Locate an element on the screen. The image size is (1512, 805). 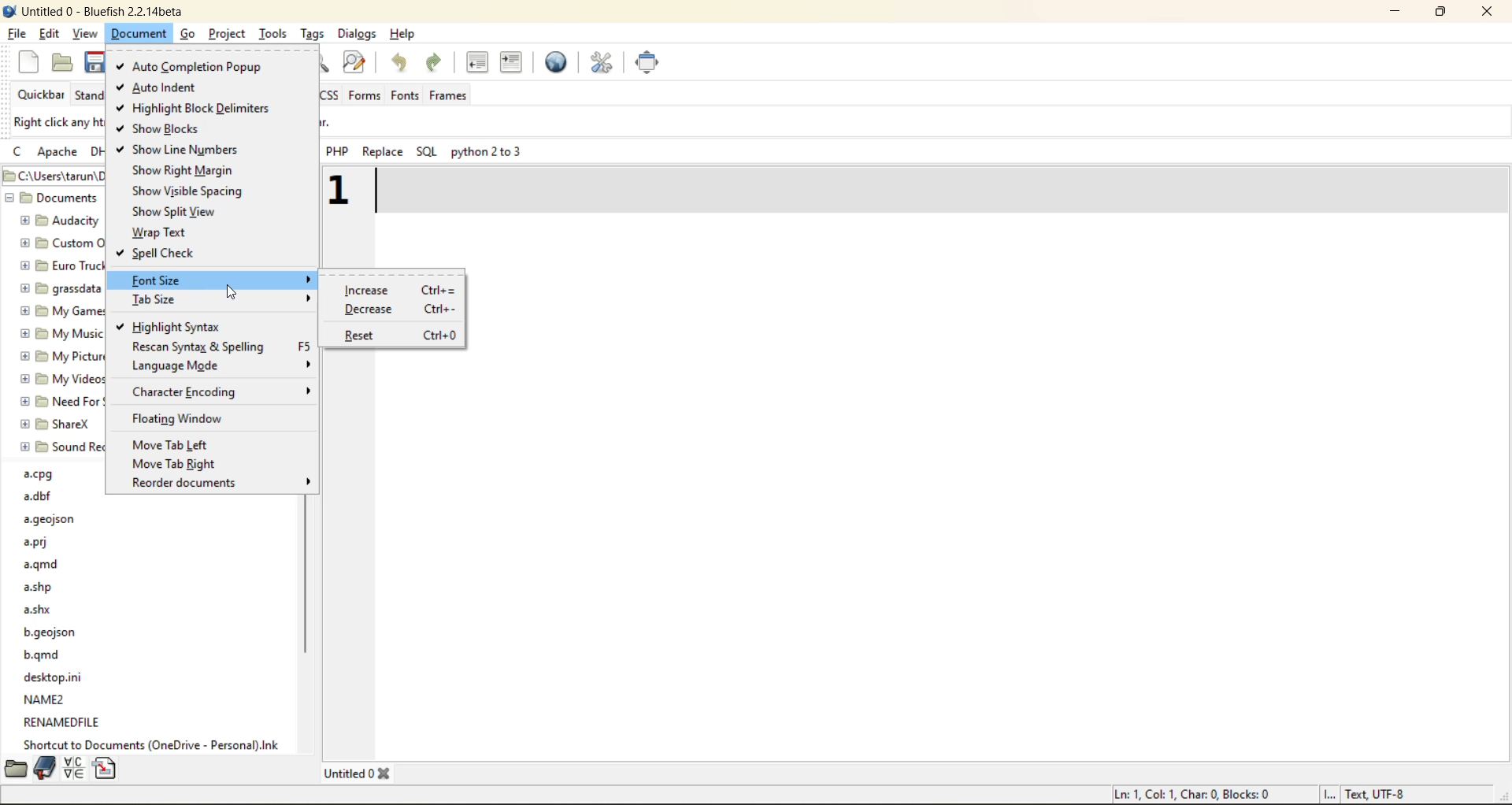
open is located at coordinates (62, 61).